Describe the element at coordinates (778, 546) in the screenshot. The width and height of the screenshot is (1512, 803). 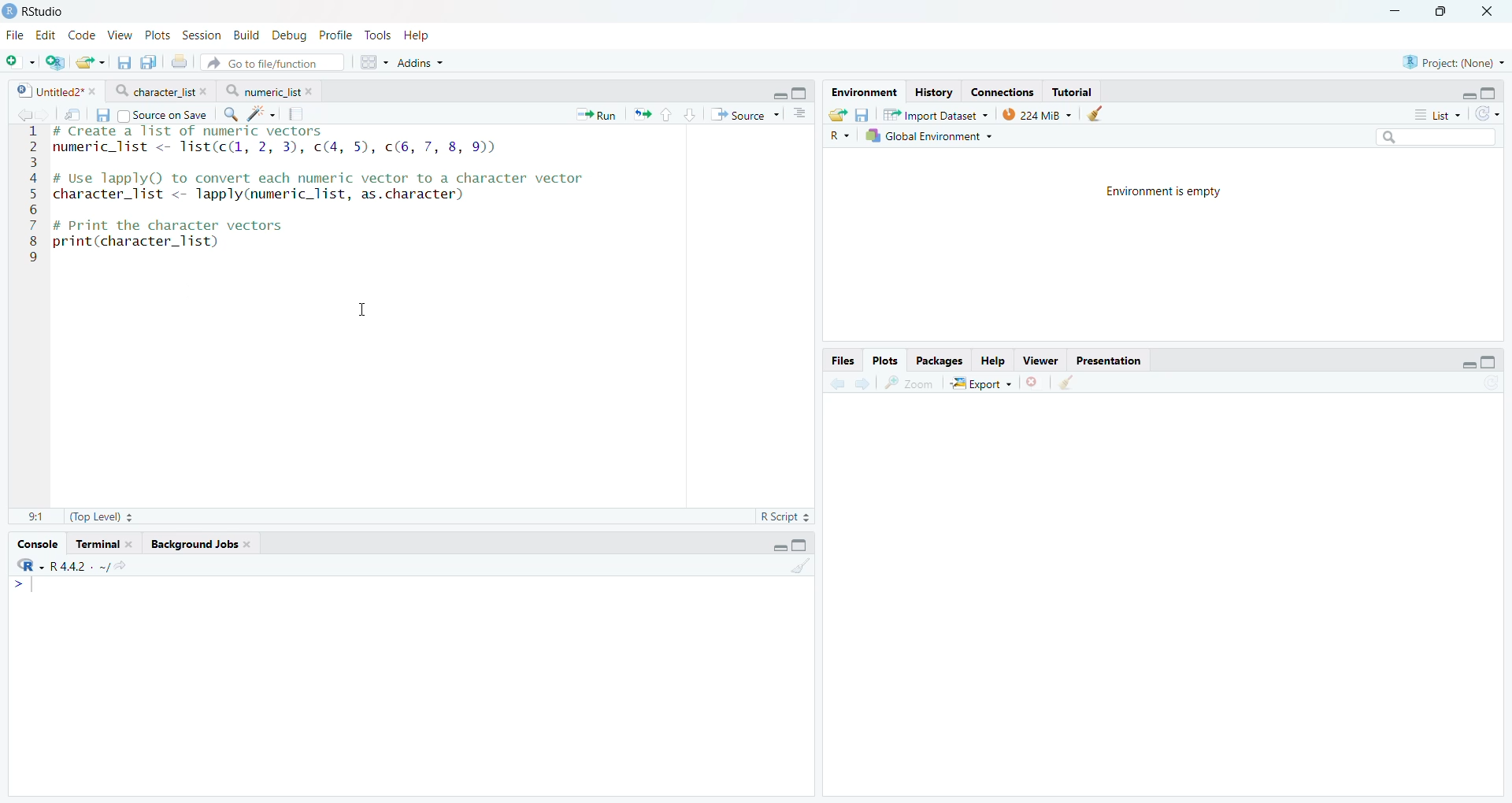
I see `Hide` at that location.